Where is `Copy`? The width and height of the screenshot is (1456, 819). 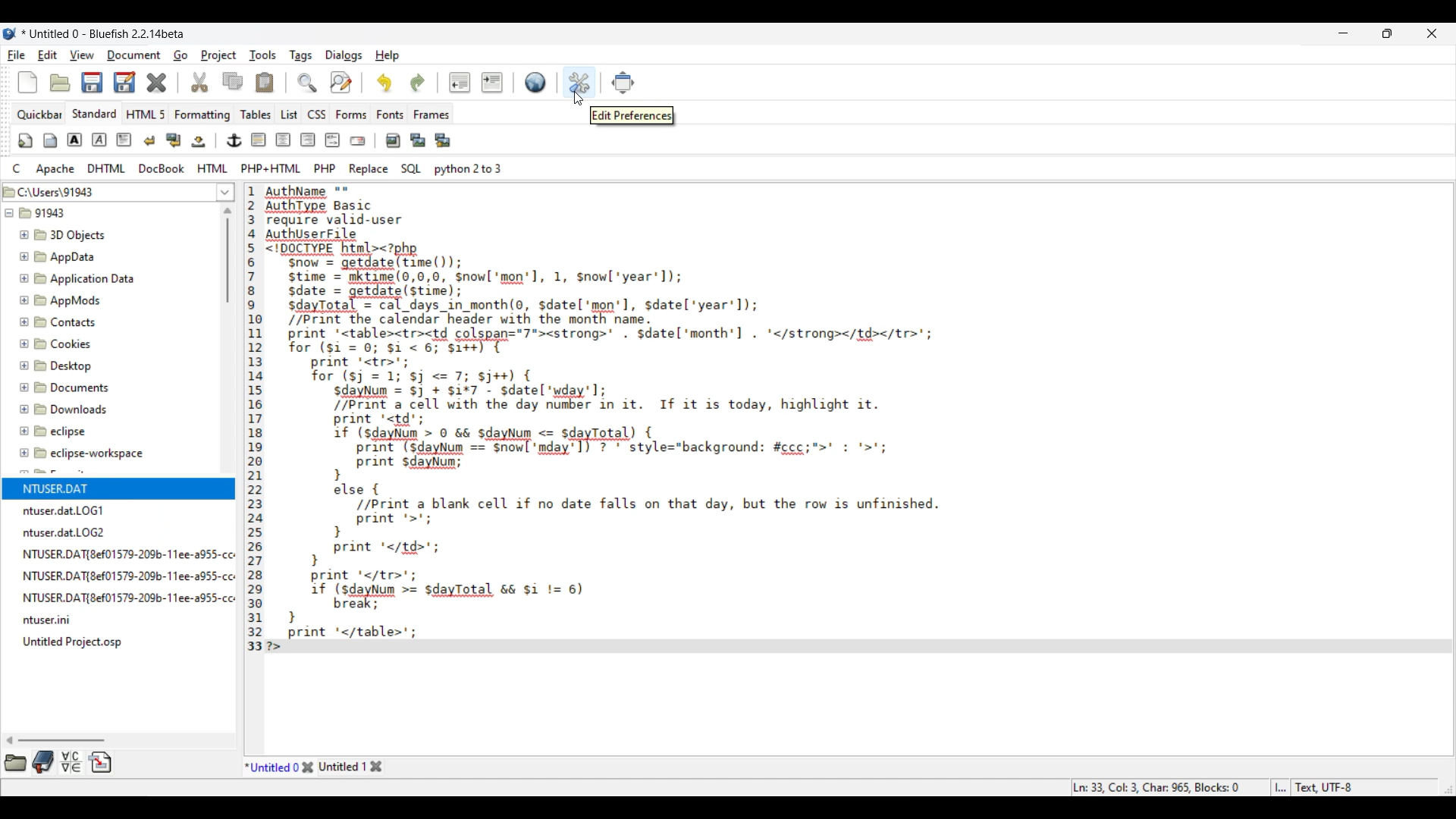 Copy is located at coordinates (233, 81).